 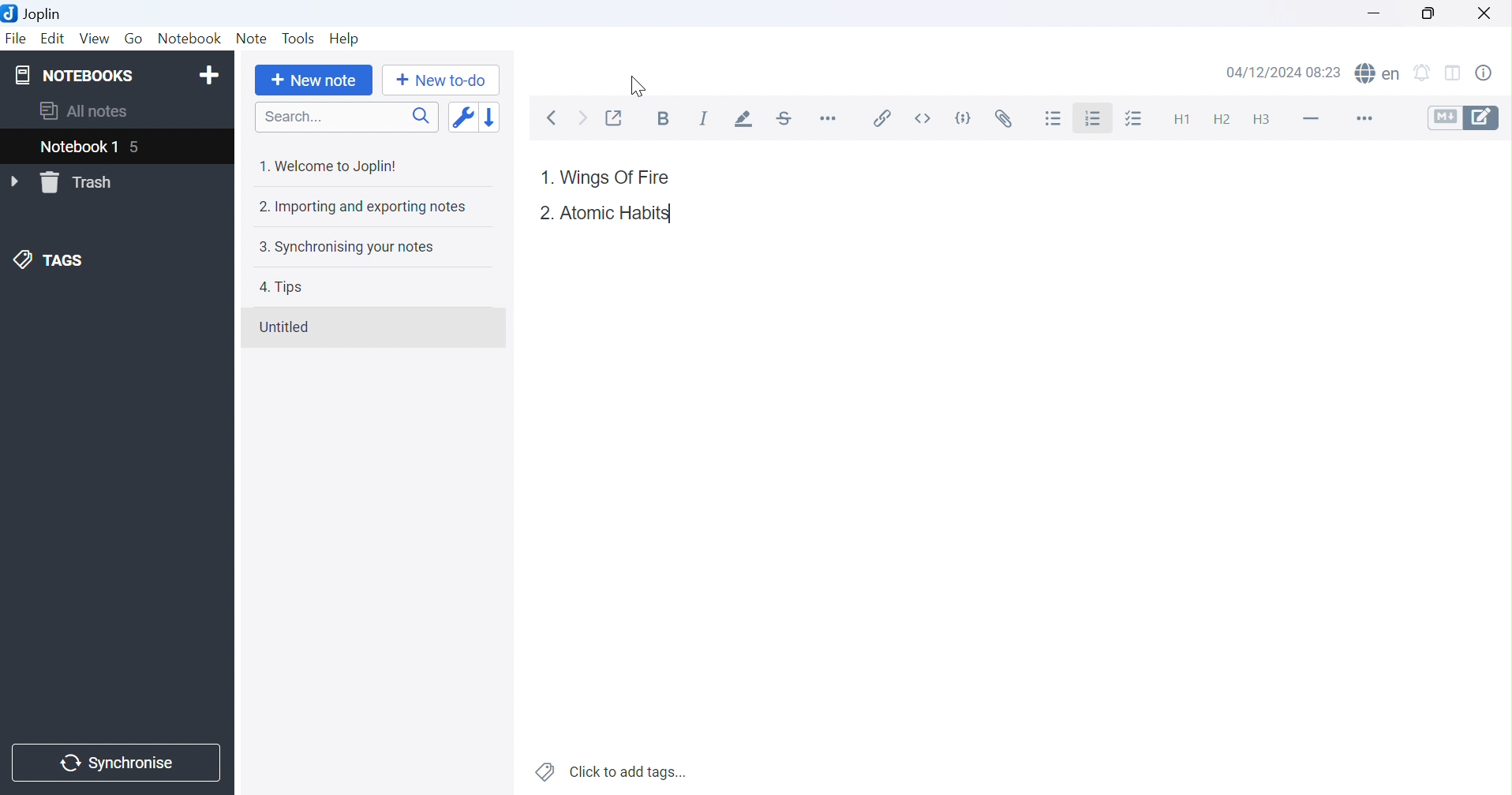 What do you see at coordinates (489, 118) in the screenshot?
I see `Reverse sort order` at bounding box center [489, 118].